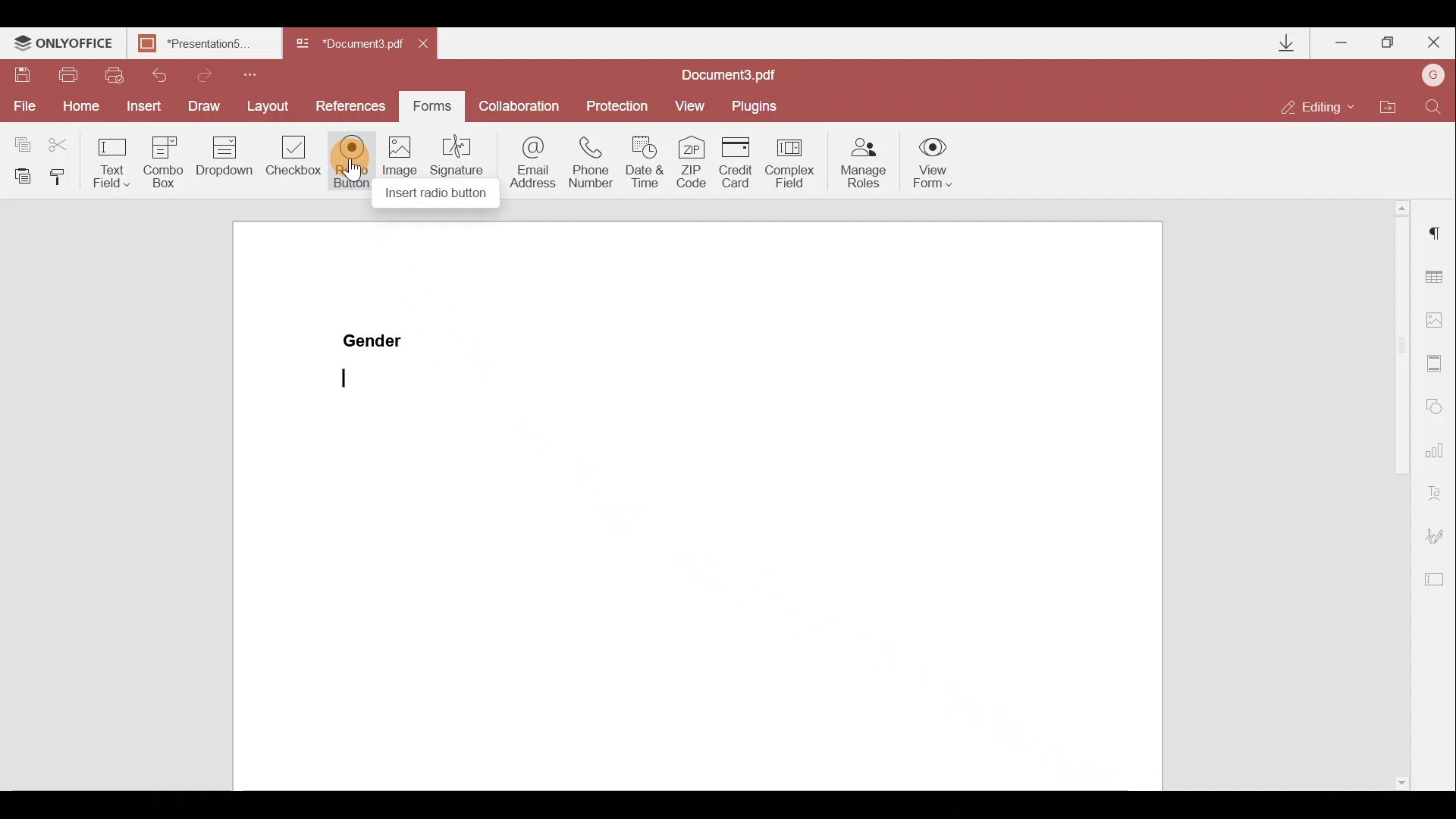 Image resolution: width=1456 pixels, height=819 pixels. What do you see at coordinates (859, 162) in the screenshot?
I see `Manage roles` at bounding box center [859, 162].